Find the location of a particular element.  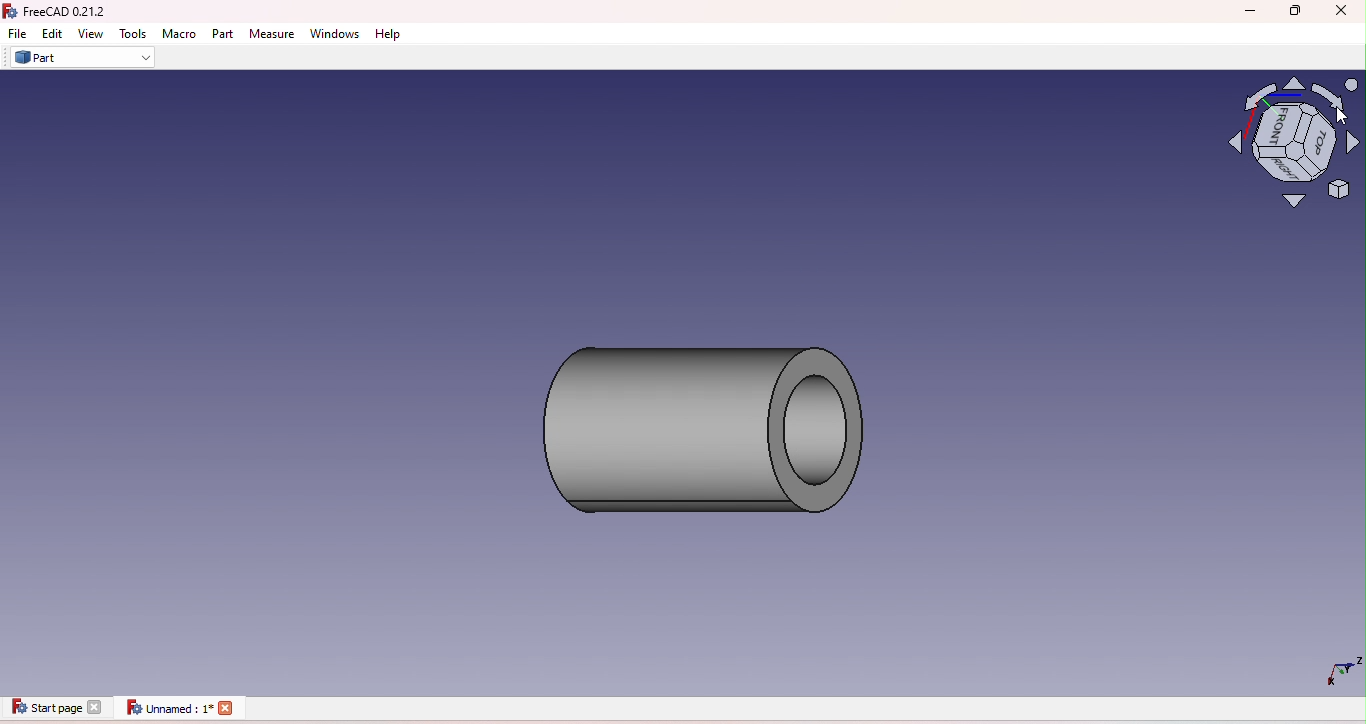

Cylinder is located at coordinates (688, 426).